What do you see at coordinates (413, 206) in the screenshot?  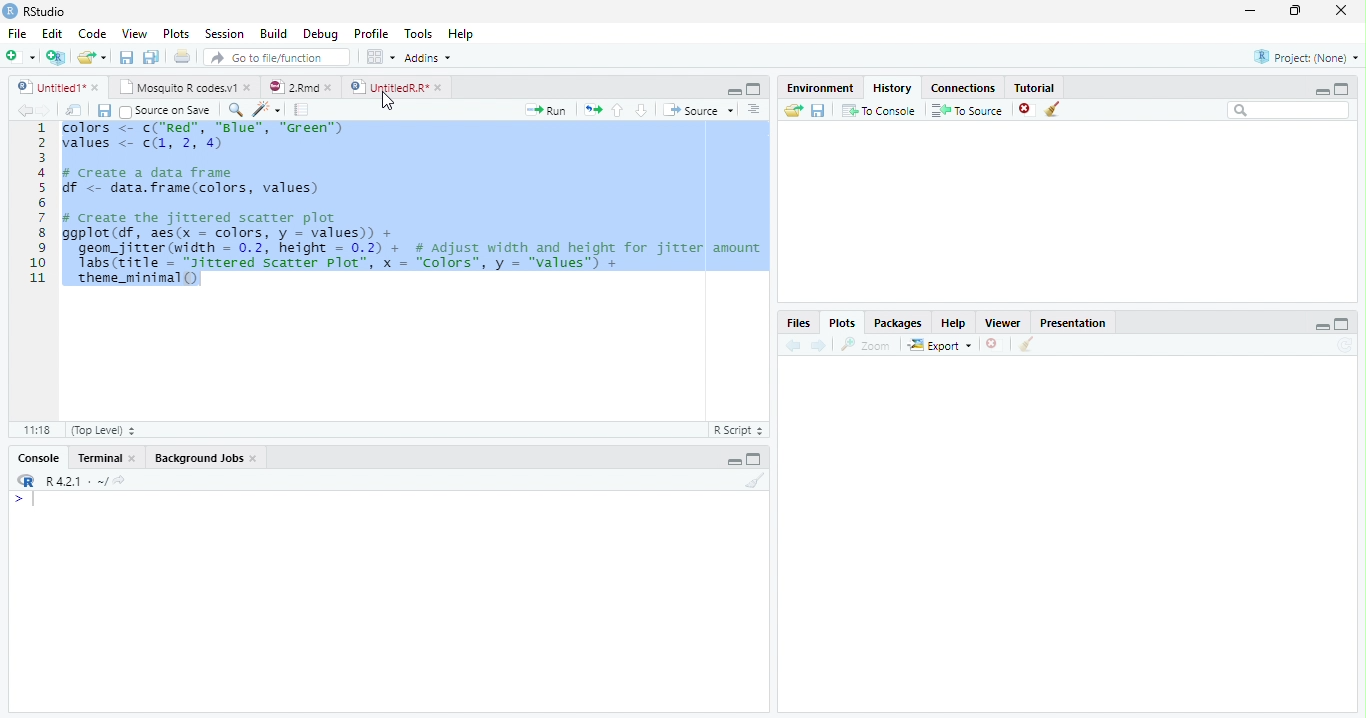 I see `colors <- c( Red", Wiss", "@rean’)

values <- c(1, 2, 4)

# Create a data frame

of <- data frame(colors, values)

# Create the jittered scatter plot

ggplot (df, aes(x = colors, y = values) +
geom_jitter (width = 0.2, height = 0.2) + # Adjust width and height for jitter amount
Tabs (title = "Jittered Scatter Plot”, x = “Colors”, y = “values” +
‘theme_minimal QO]` at bounding box center [413, 206].